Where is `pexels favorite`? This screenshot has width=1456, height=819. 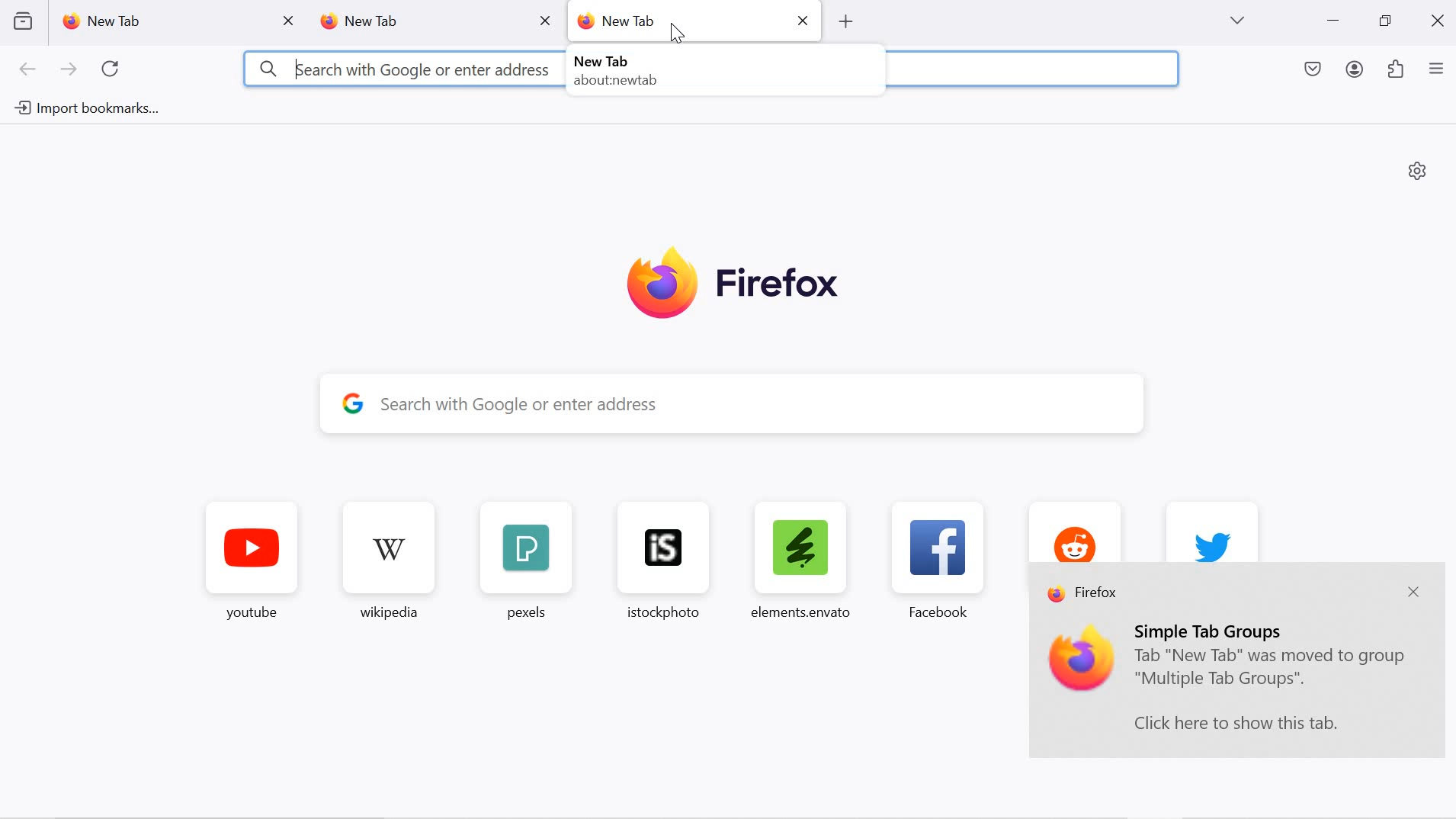
pexels favorite is located at coordinates (523, 562).